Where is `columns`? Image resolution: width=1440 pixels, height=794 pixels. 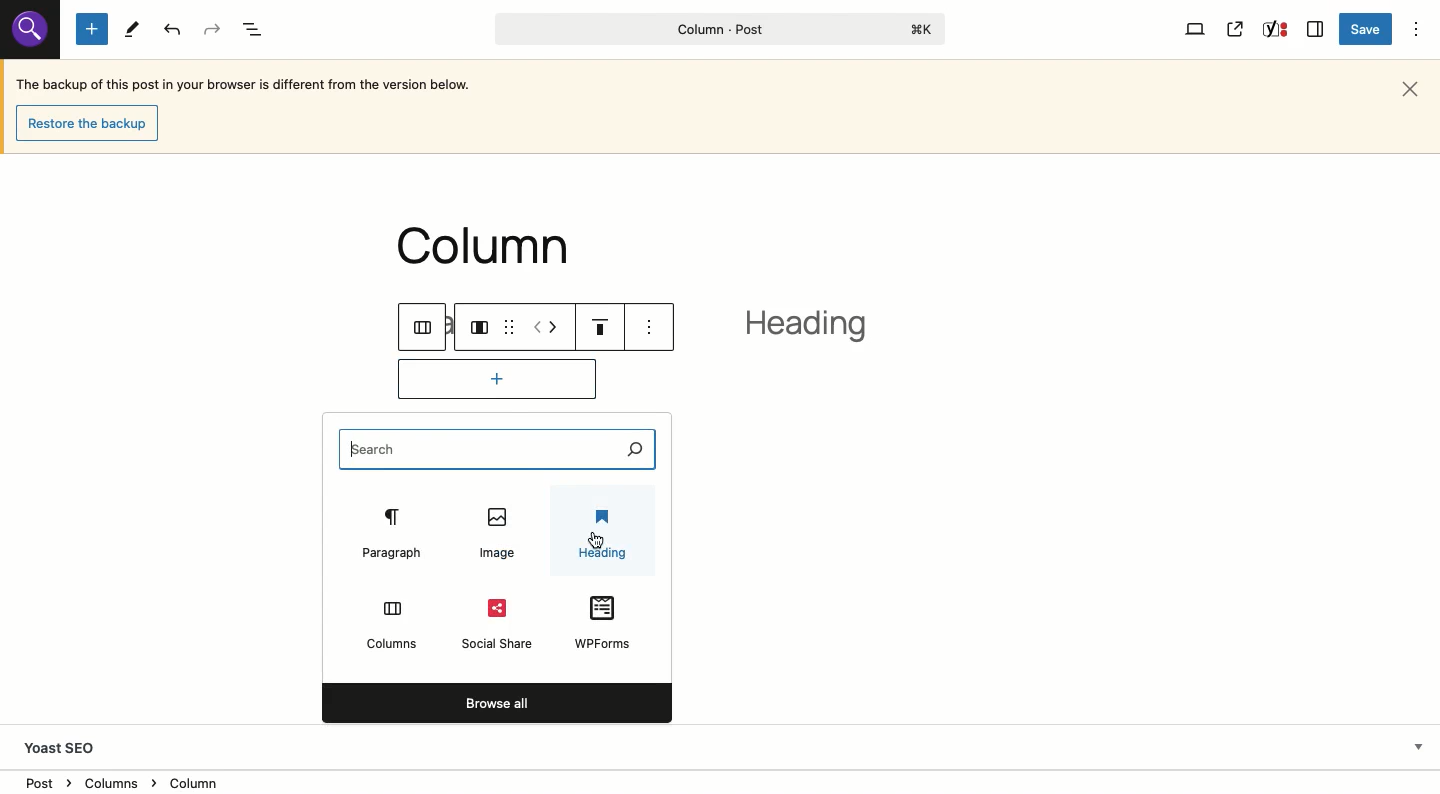
columns is located at coordinates (427, 330).